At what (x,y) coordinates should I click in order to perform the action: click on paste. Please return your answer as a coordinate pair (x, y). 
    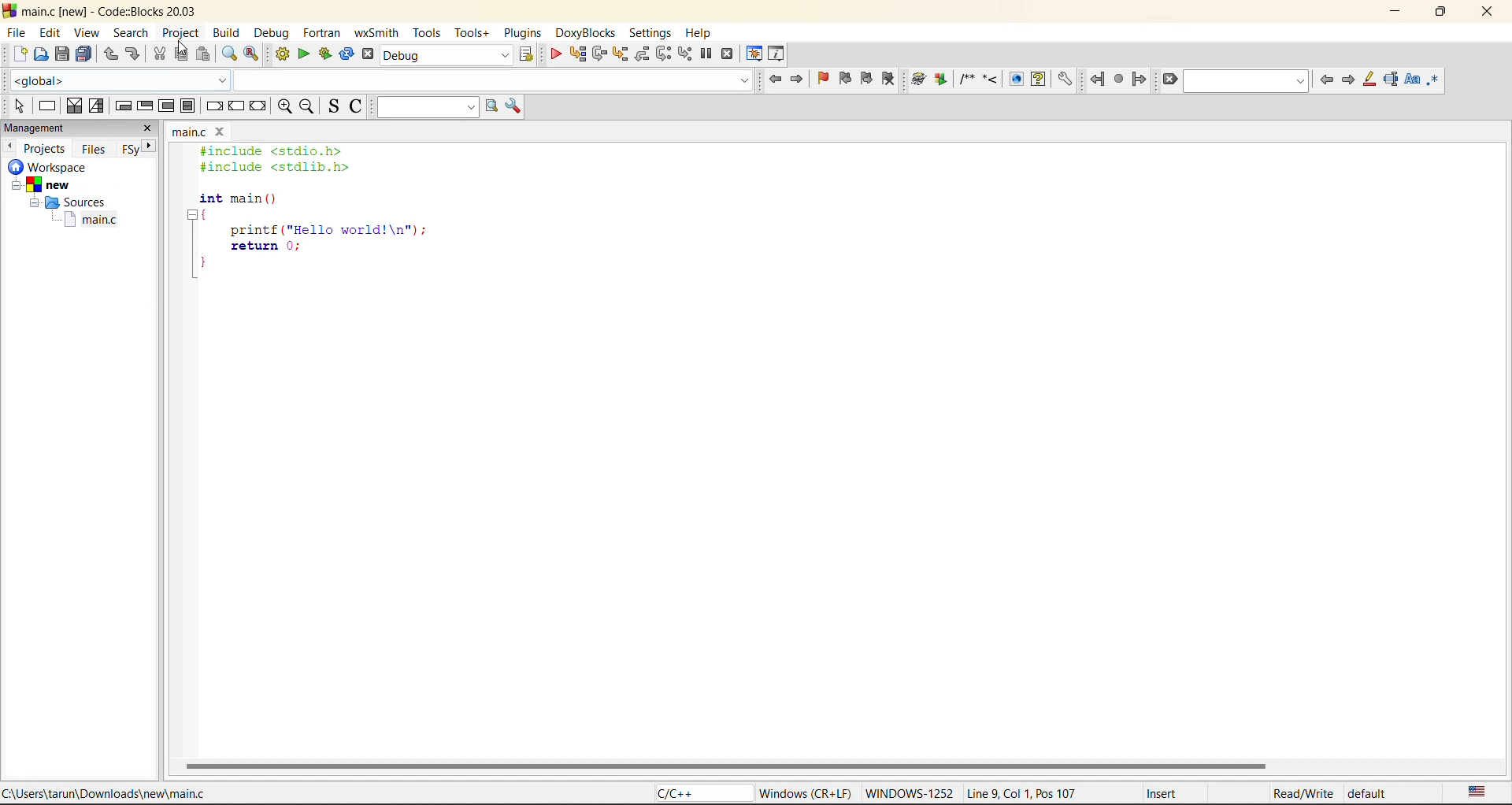
    Looking at the image, I should click on (206, 55).